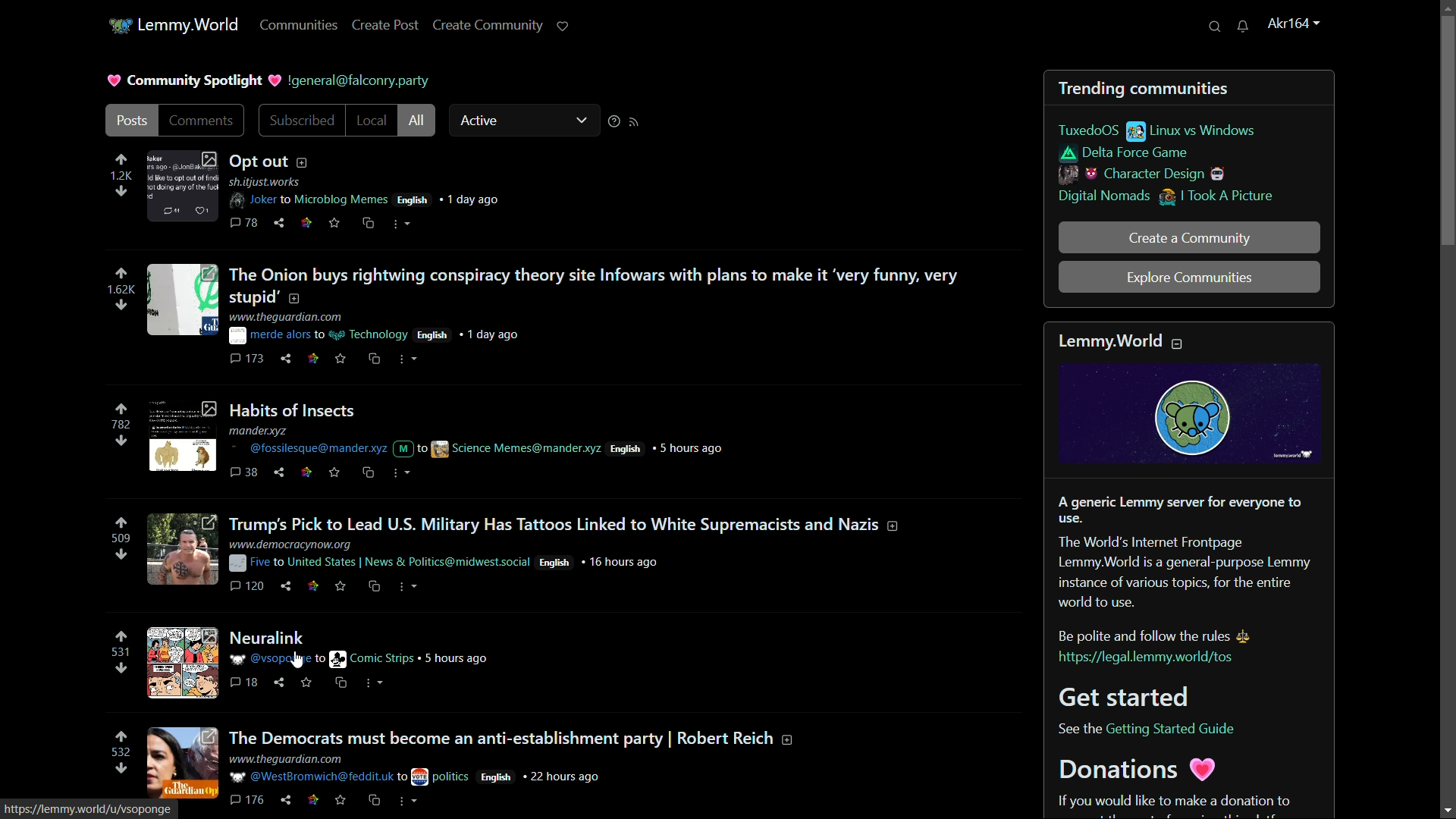 The height and width of the screenshot is (819, 1456). Describe the element at coordinates (113, 79) in the screenshot. I see `heart` at that location.